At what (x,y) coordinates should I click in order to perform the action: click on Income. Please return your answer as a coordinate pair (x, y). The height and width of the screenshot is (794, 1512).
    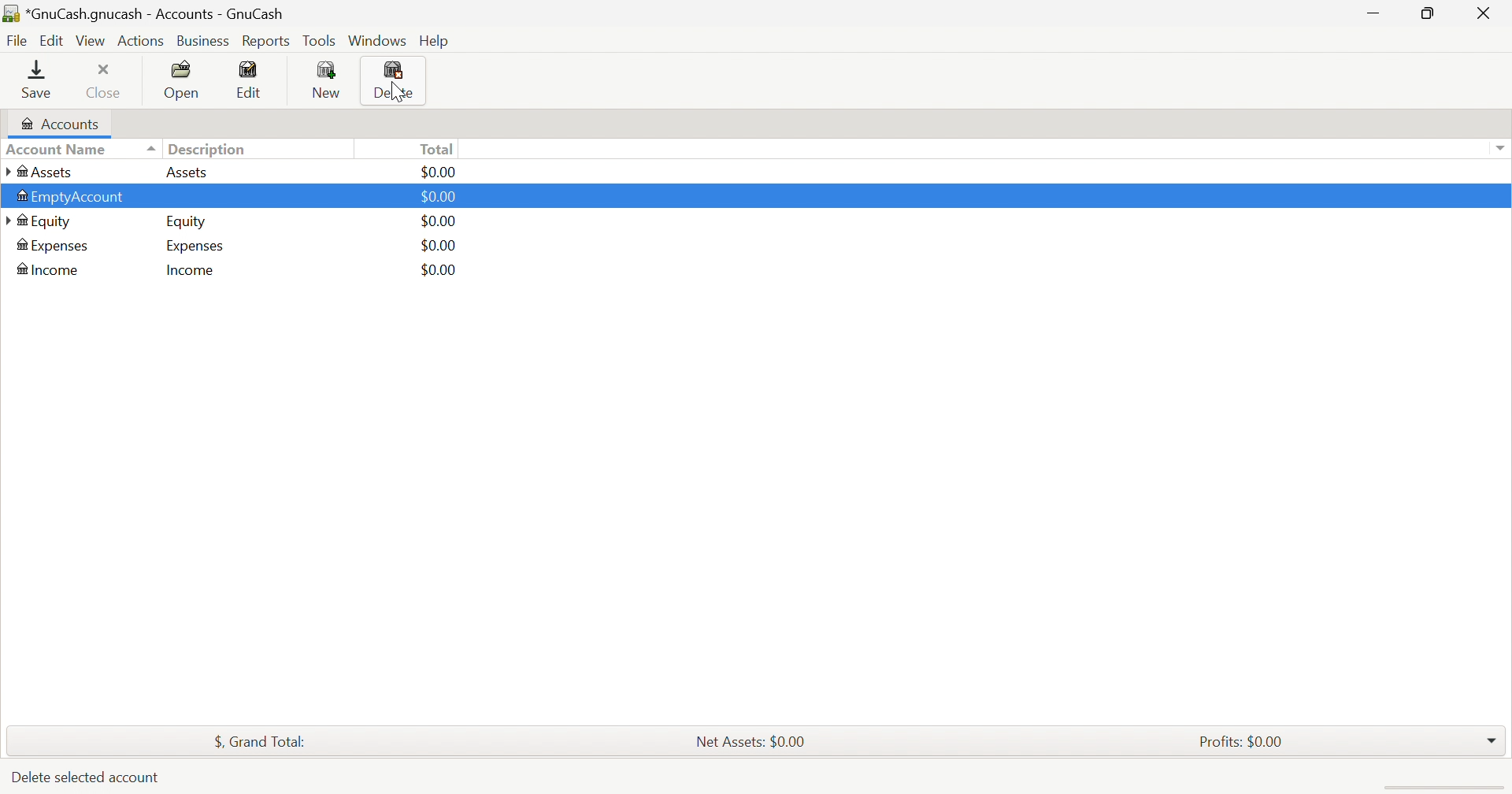
    Looking at the image, I should click on (188, 272).